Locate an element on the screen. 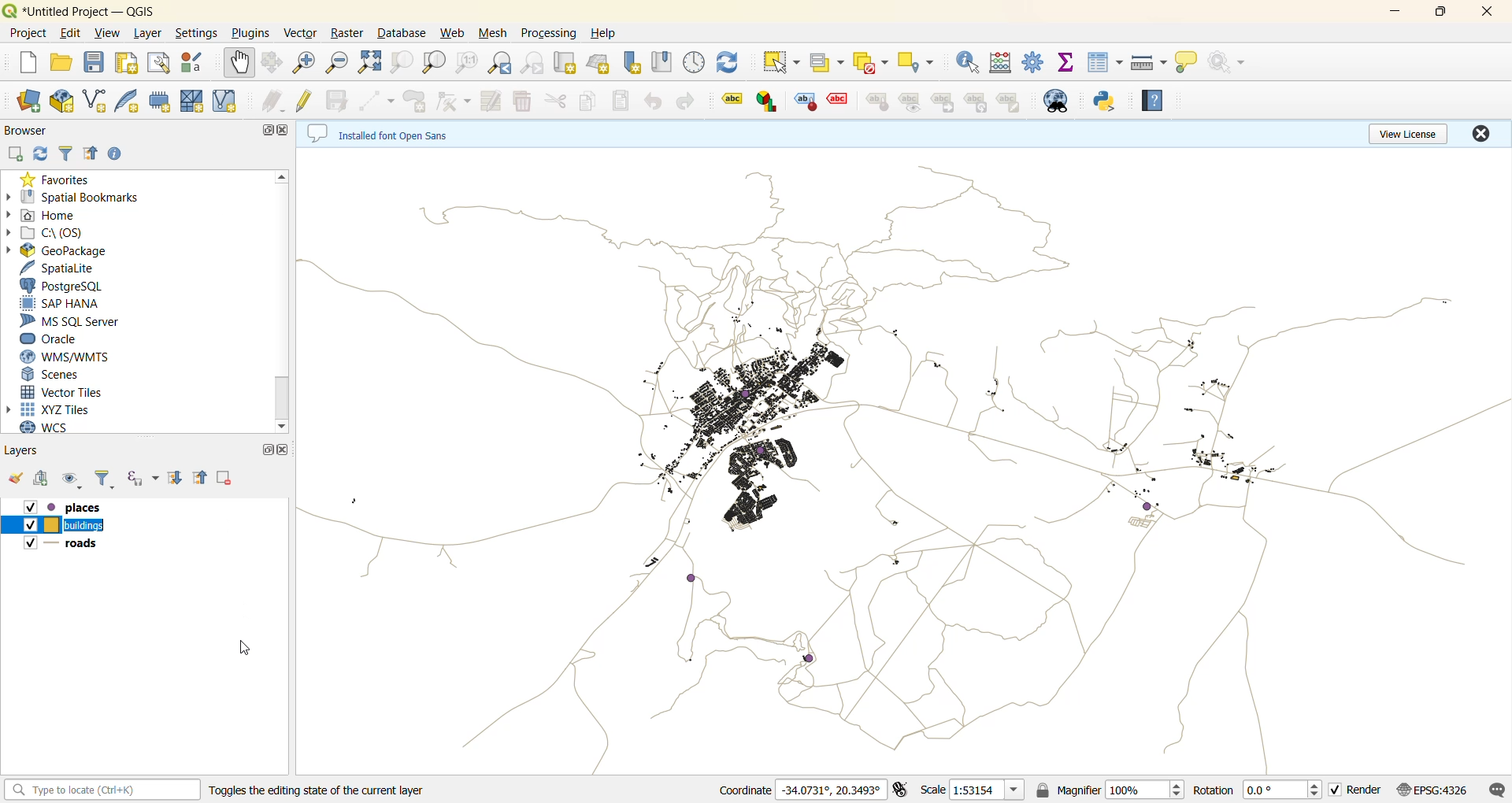  zoom layer is located at coordinates (432, 62).